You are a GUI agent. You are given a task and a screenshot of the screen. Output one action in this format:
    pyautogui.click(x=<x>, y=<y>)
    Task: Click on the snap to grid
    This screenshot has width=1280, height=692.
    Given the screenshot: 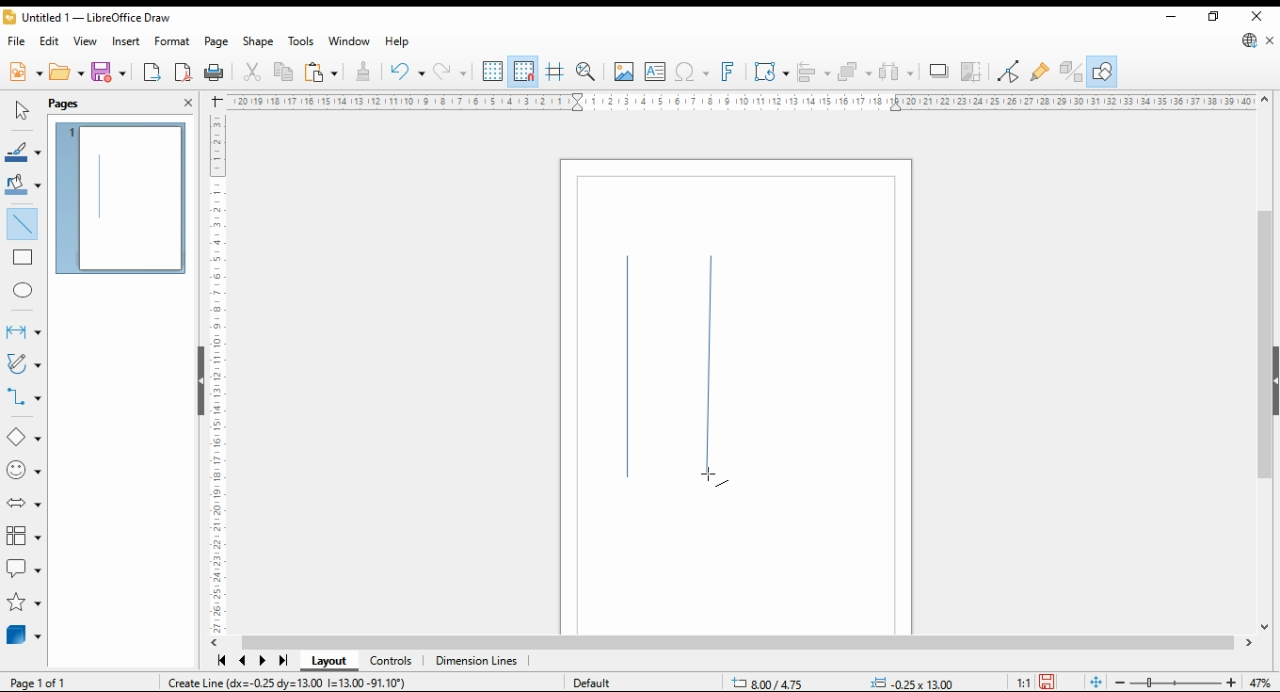 What is the action you would take?
    pyautogui.click(x=523, y=71)
    